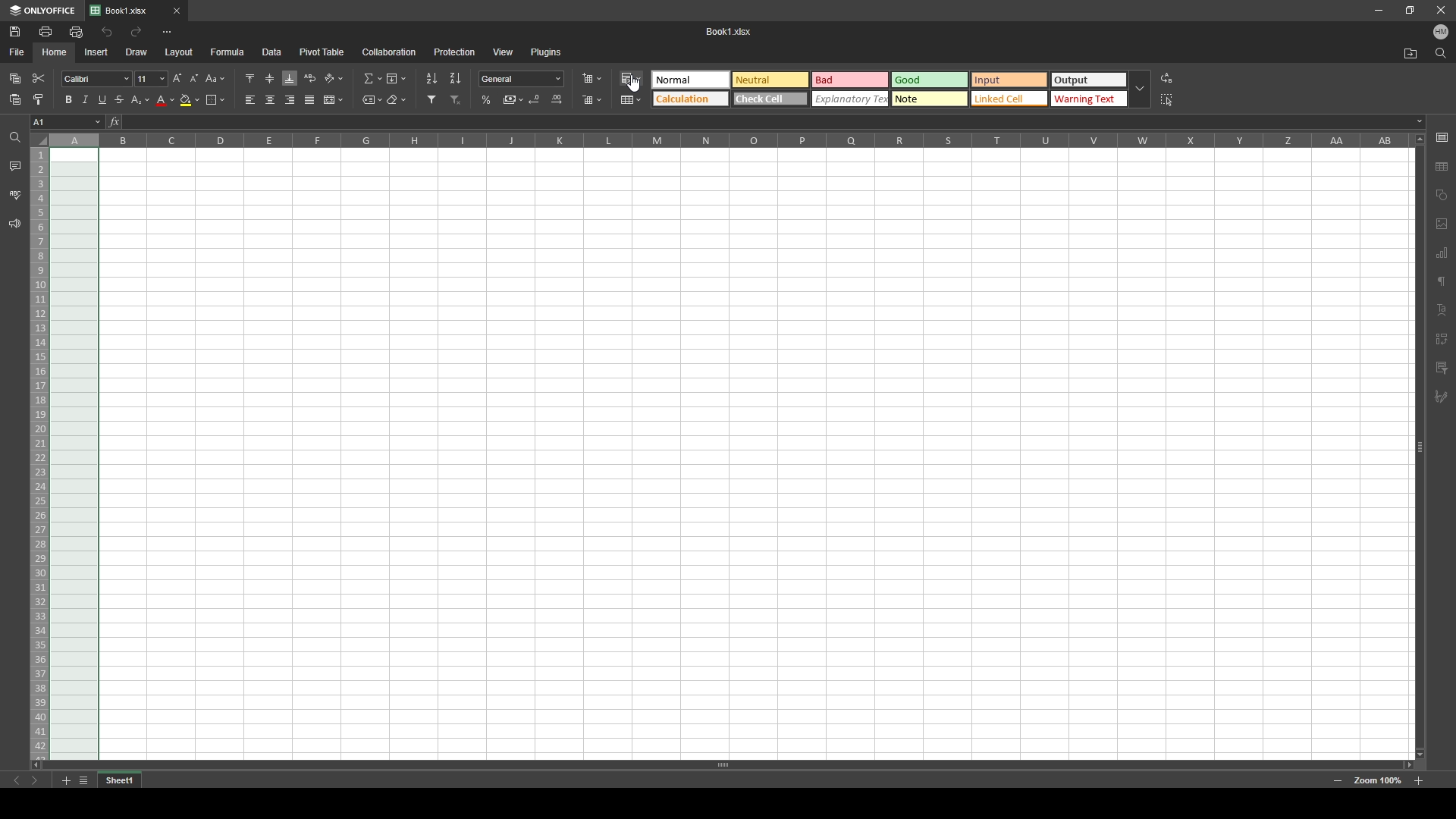 The image size is (1456, 819). What do you see at coordinates (1442, 137) in the screenshot?
I see `cell settings` at bounding box center [1442, 137].